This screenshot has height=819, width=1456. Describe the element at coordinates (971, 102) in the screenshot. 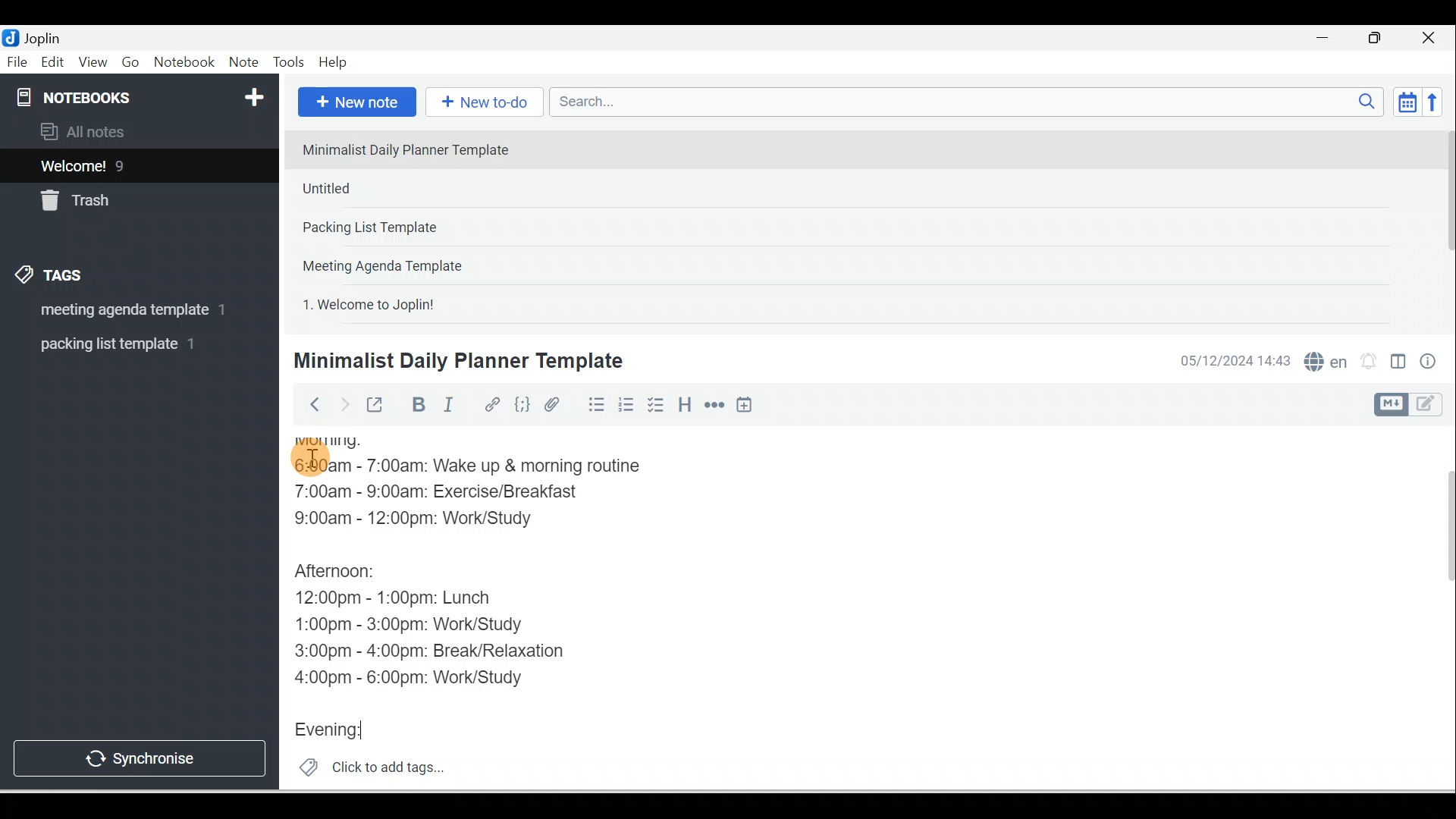

I see `Search bar` at that location.